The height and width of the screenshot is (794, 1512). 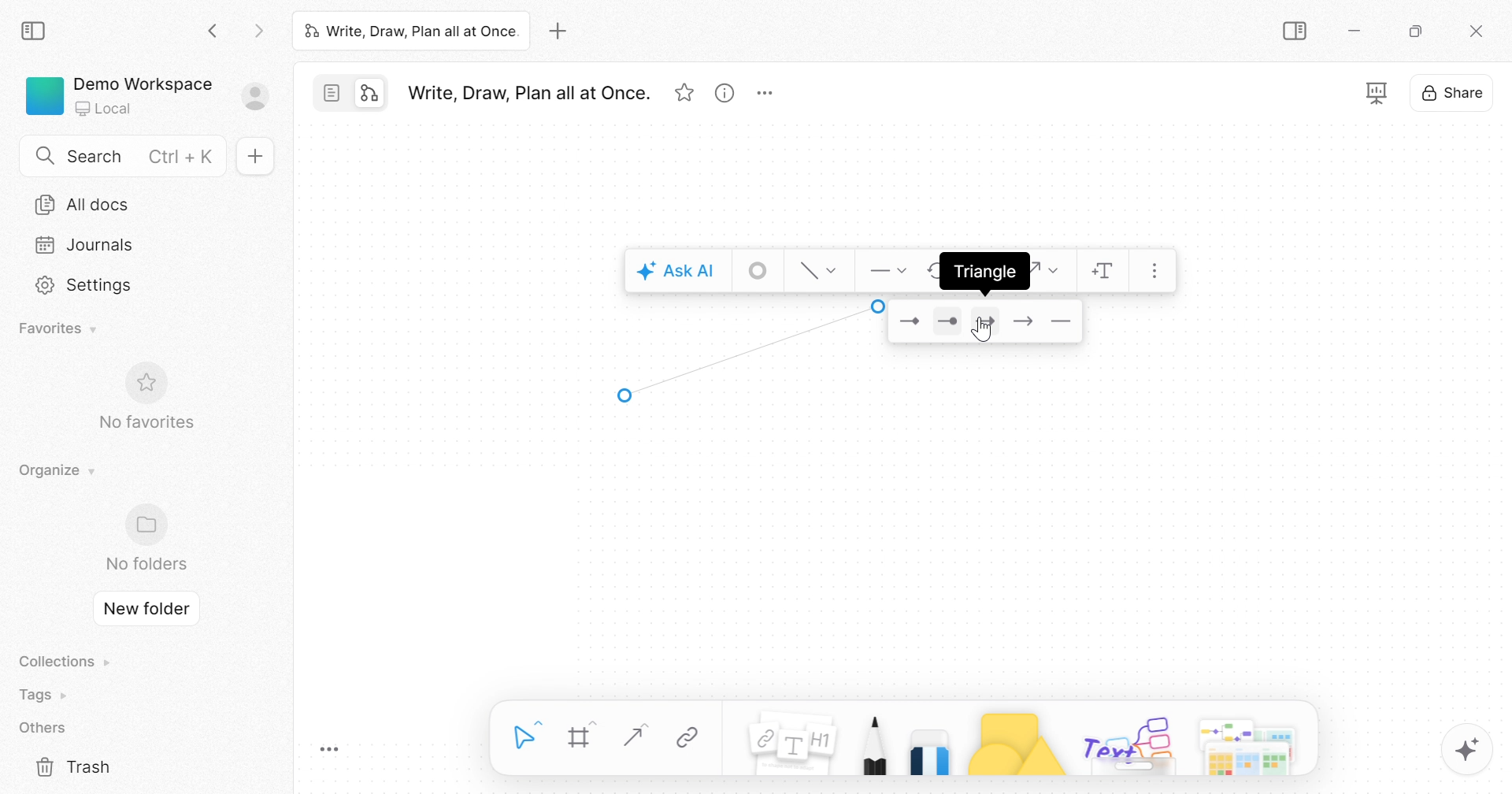 What do you see at coordinates (35, 31) in the screenshot?
I see `Collapse sidebar` at bounding box center [35, 31].